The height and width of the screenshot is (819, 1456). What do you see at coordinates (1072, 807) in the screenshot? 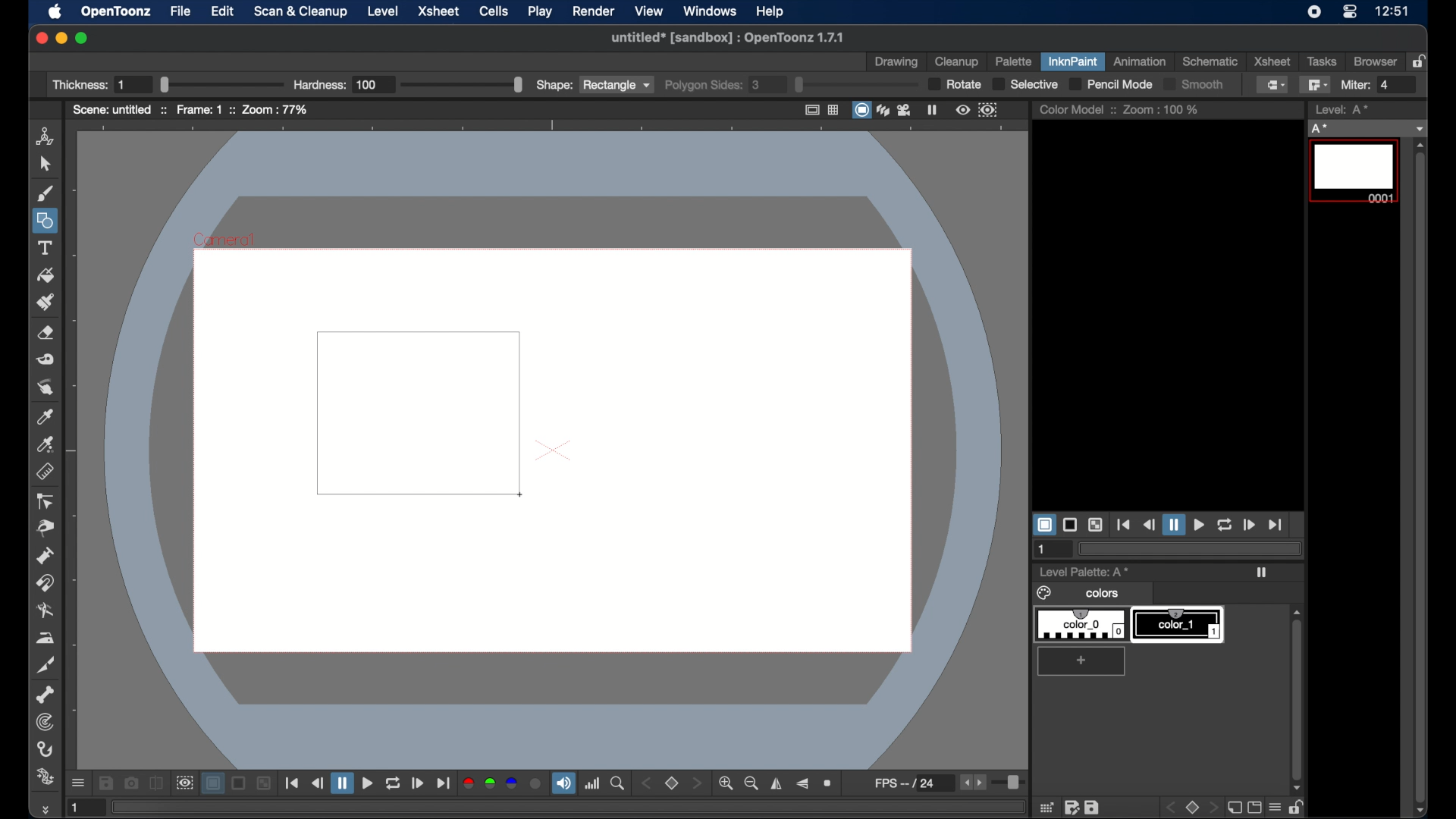
I see `edit` at bounding box center [1072, 807].